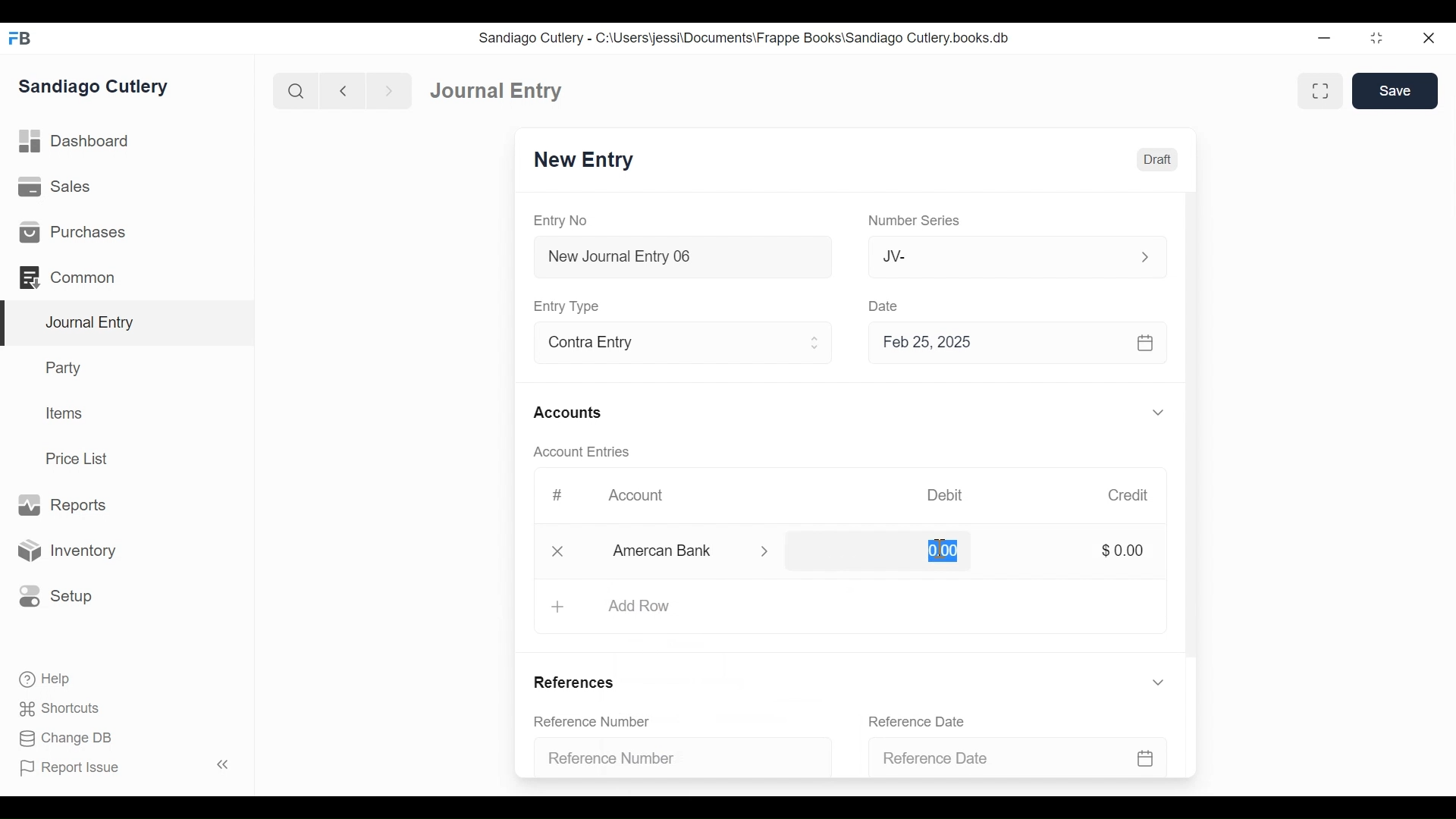 The width and height of the screenshot is (1456, 819). I want to click on Reference Number, so click(676, 755).